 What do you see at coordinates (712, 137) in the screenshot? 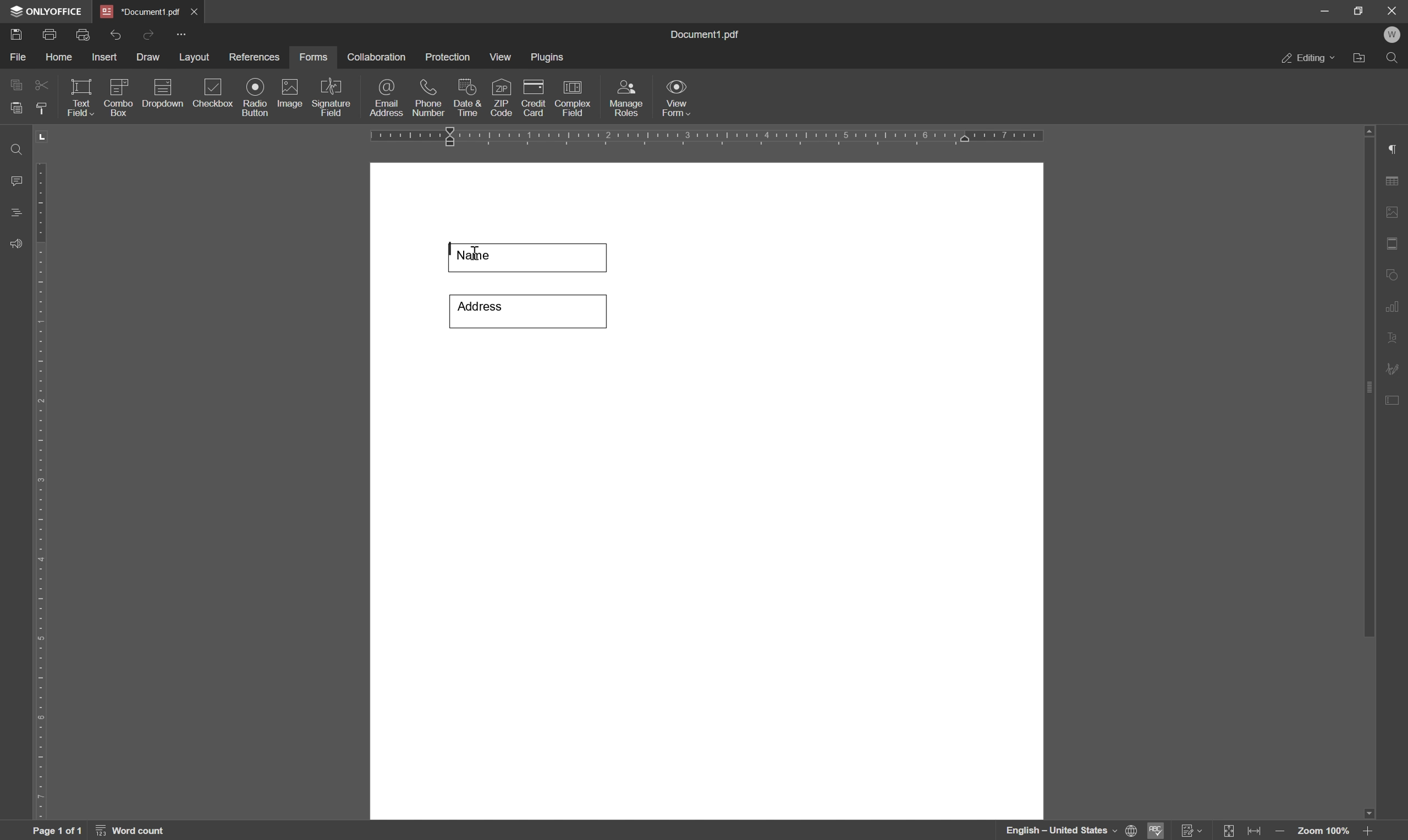
I see `ruler` at bounding box center [712, 137].